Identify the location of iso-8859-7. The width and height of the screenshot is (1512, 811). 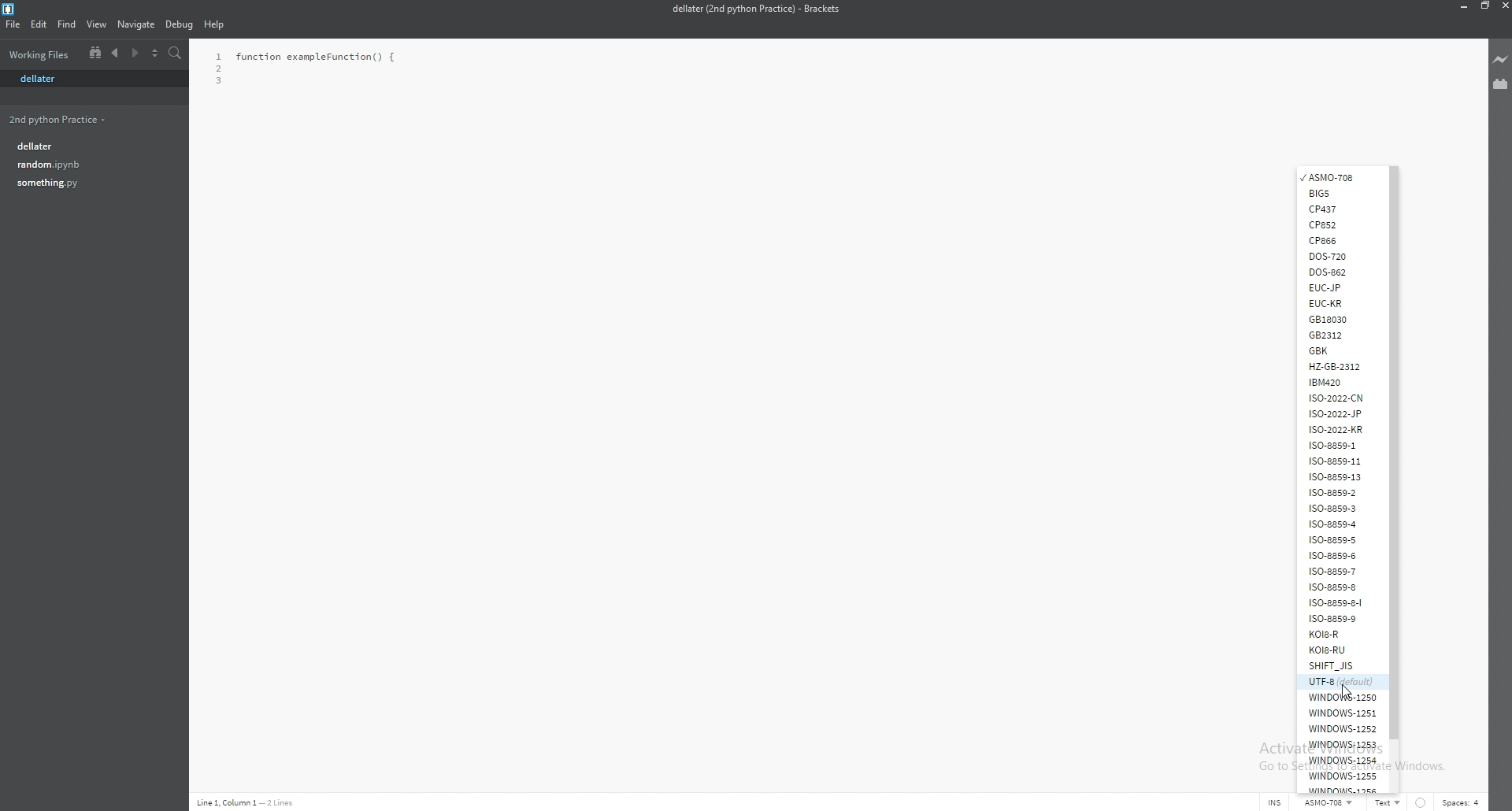
(1341, 572).